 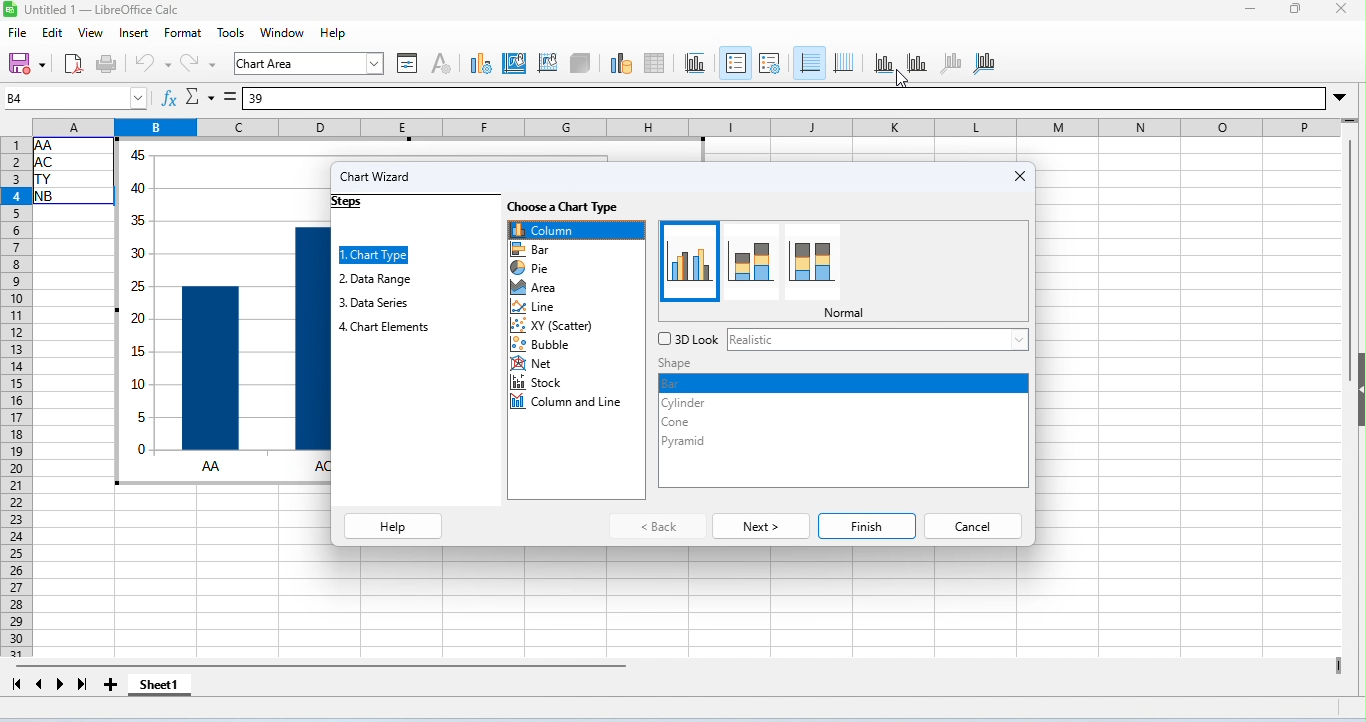 I want to click on file, so click(x=17, y=32).